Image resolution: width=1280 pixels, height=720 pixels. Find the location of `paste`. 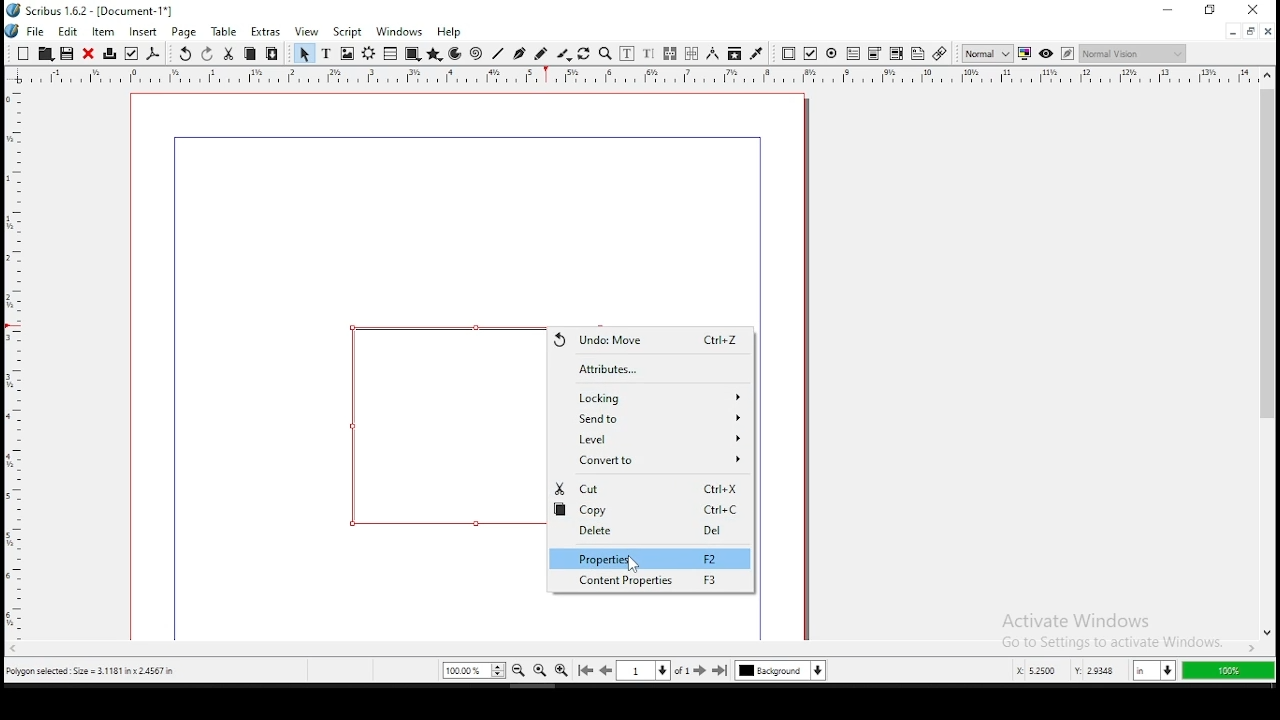

paste is located at coordinates (271, 54).